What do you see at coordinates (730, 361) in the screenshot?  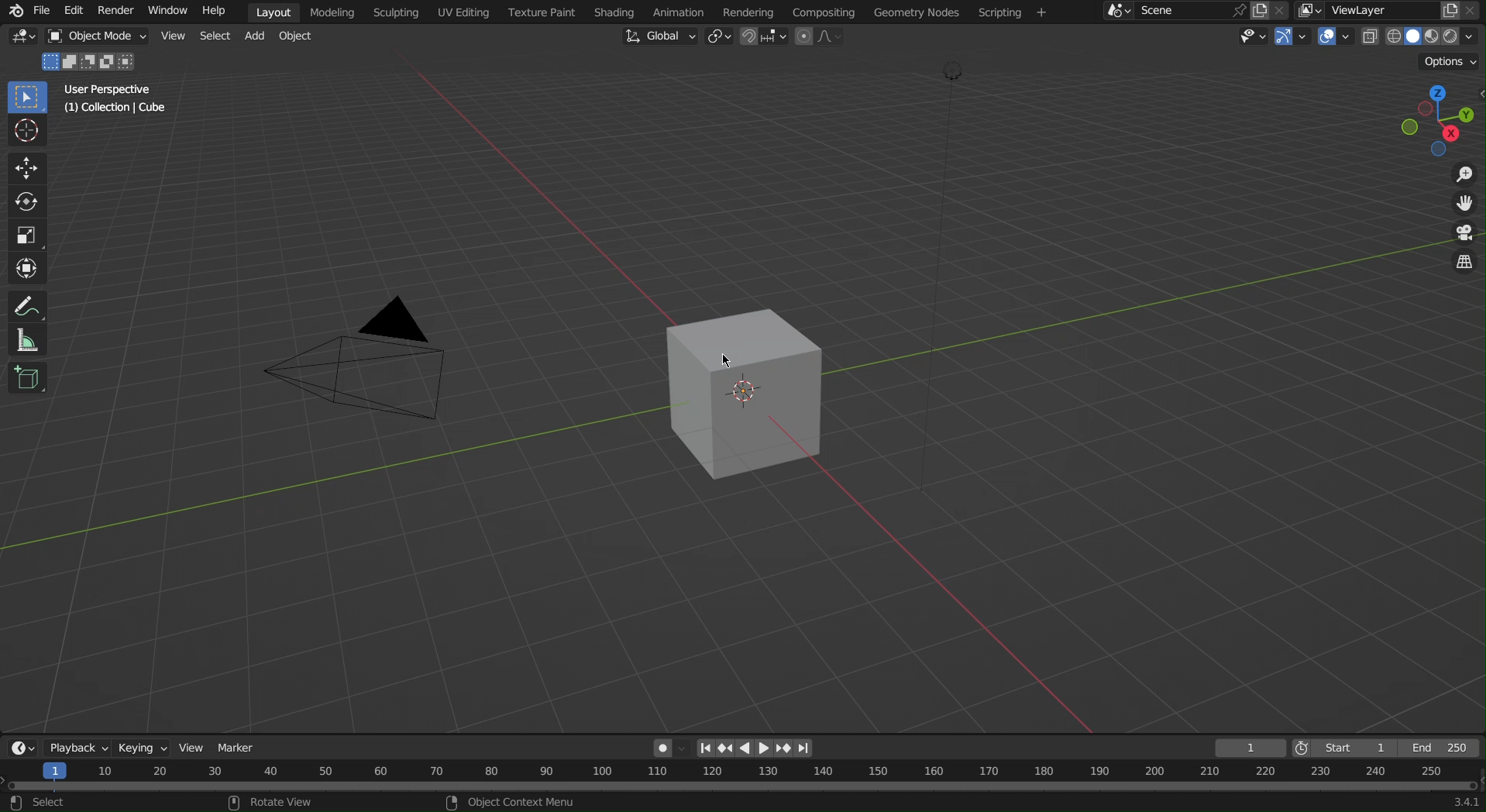 I see `cursor` at bounding box center [730, 361].